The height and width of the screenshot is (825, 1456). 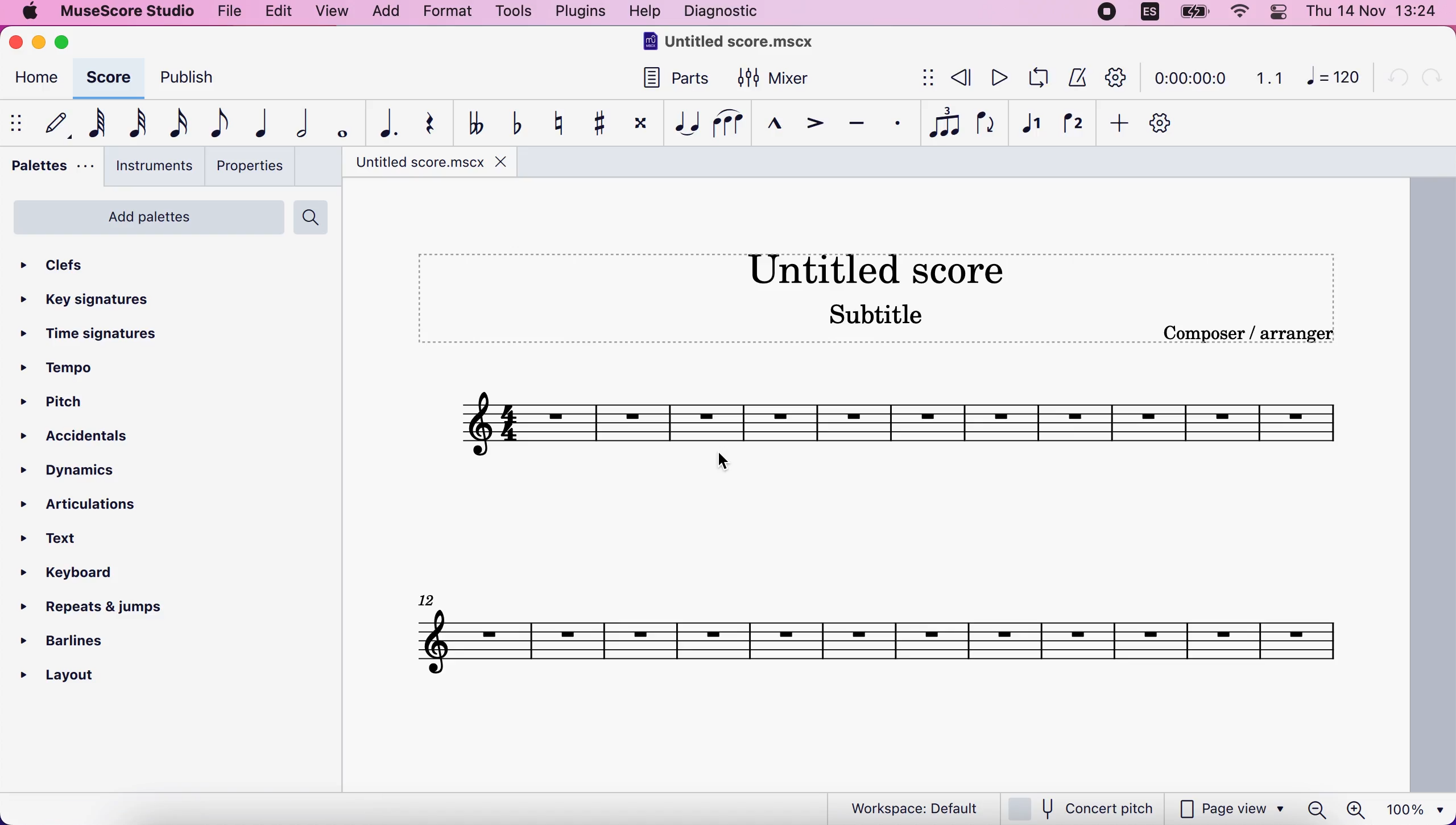 I want to click on show/hide, so click(x=17, y=126).